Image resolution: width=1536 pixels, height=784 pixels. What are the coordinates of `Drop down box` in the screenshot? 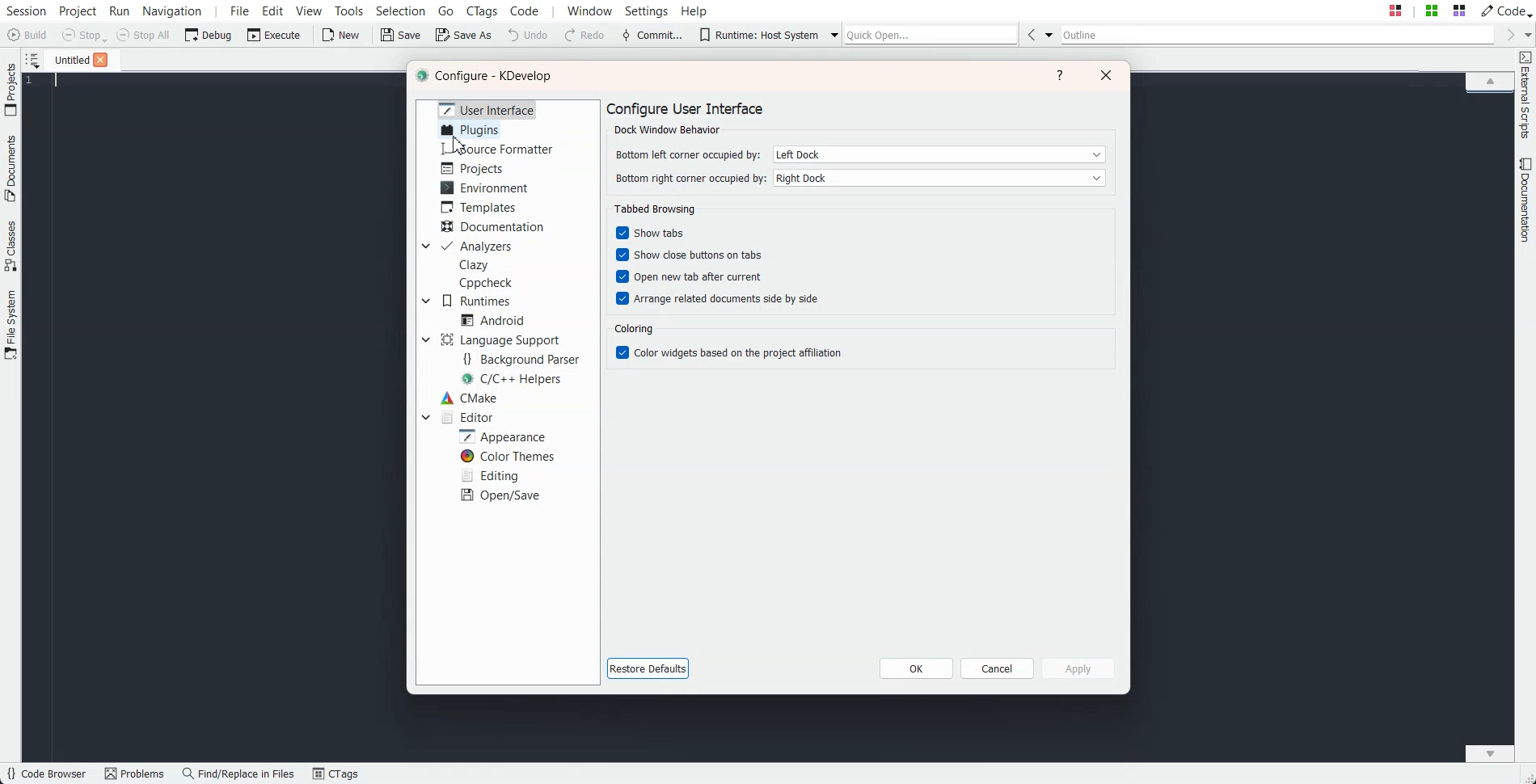 It's located at (424, 247).